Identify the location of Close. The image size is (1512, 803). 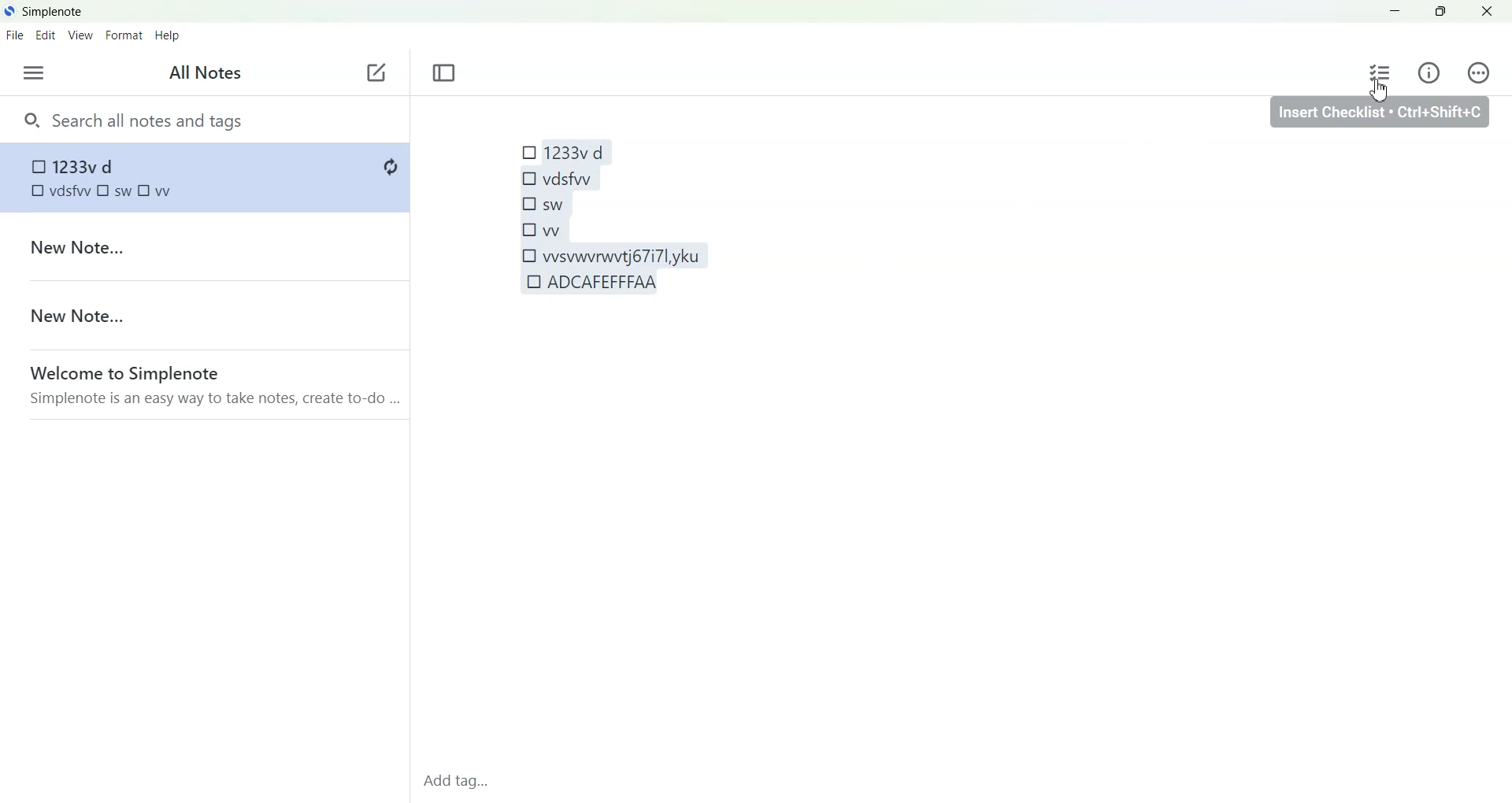
(1486, 13).